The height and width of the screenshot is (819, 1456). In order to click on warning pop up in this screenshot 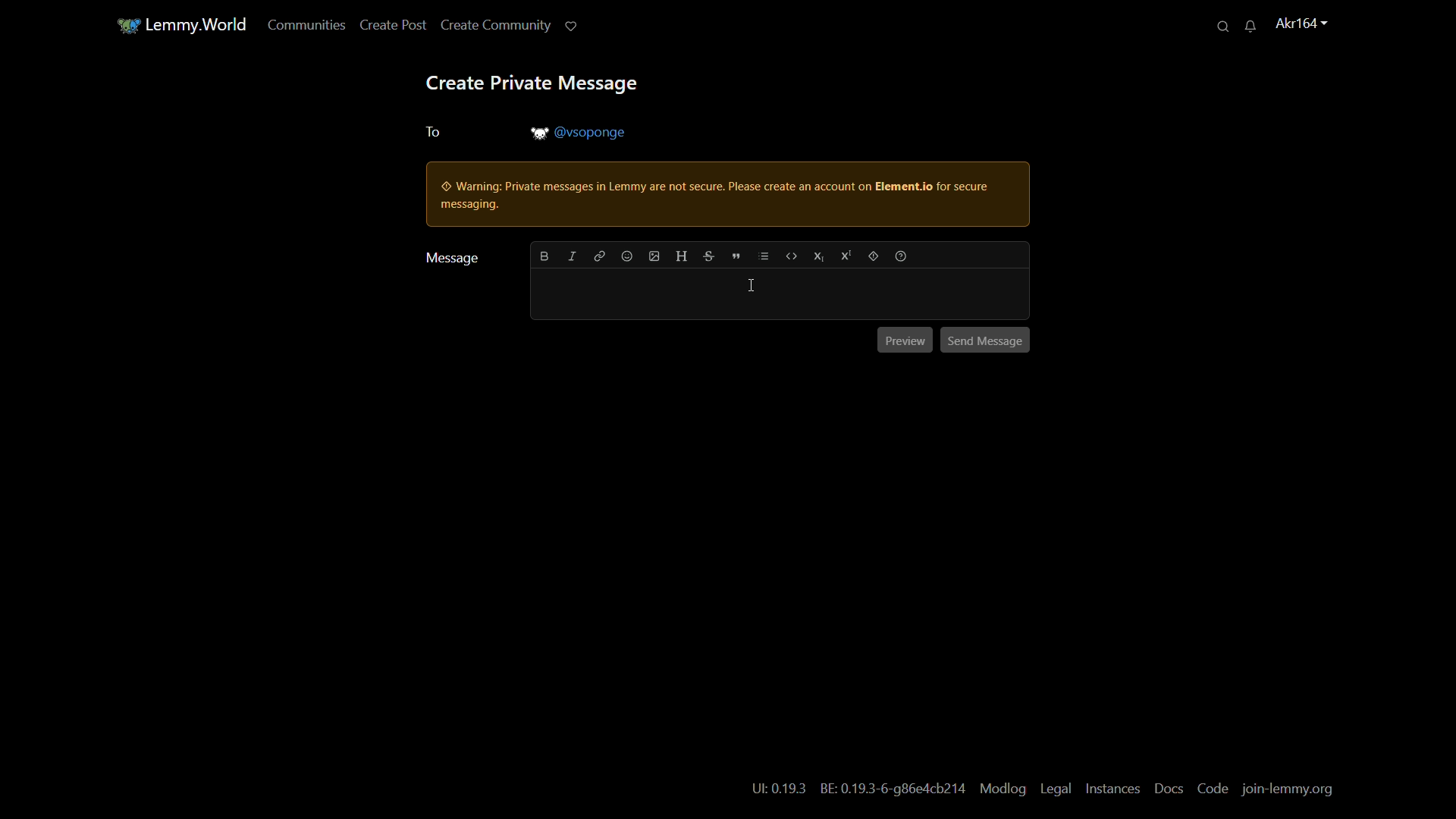, I will do `click(723, 196)`.